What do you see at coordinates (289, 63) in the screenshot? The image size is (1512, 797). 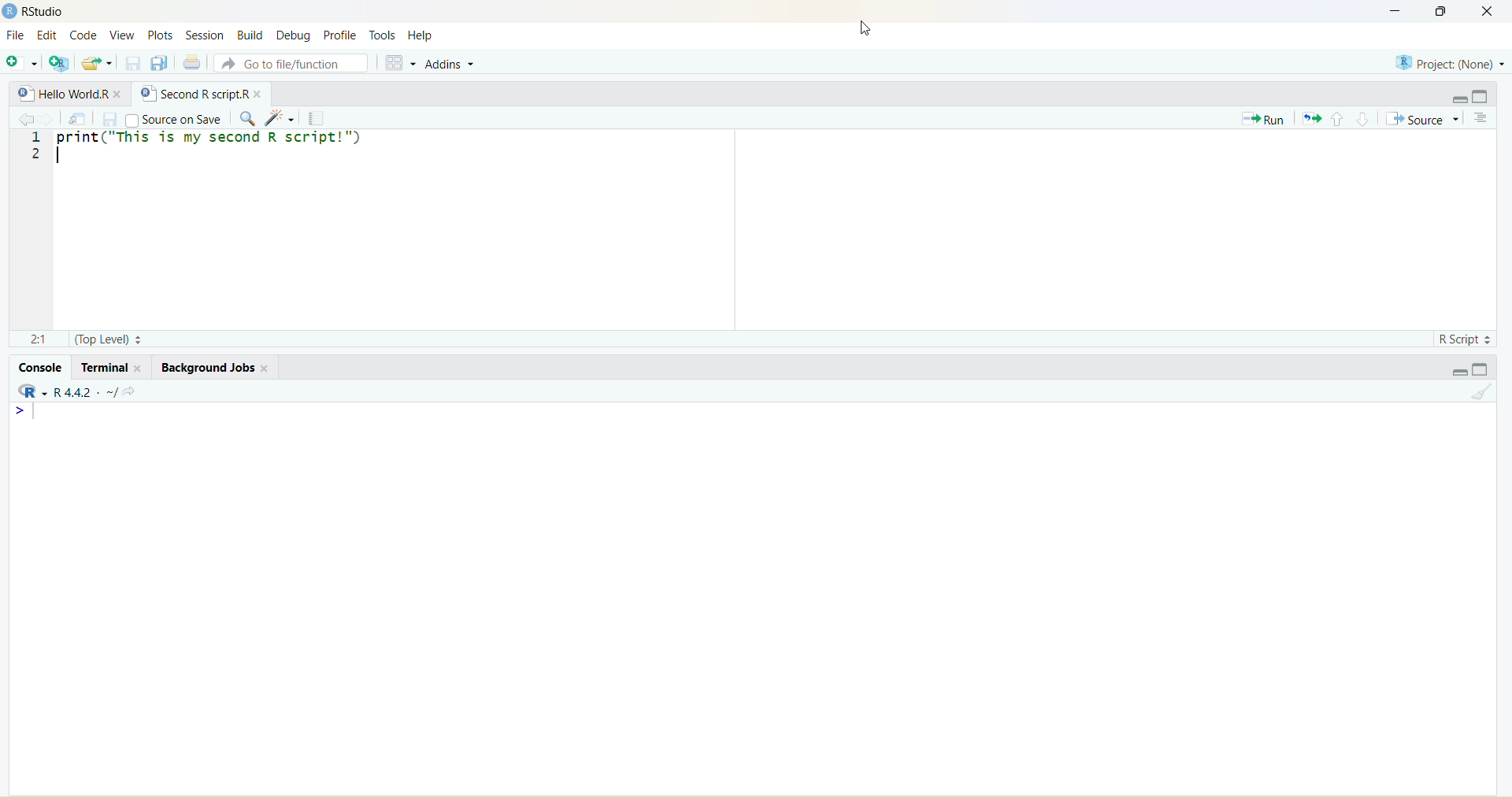 I see `Go to file/function` at bounding box center [289, 63].